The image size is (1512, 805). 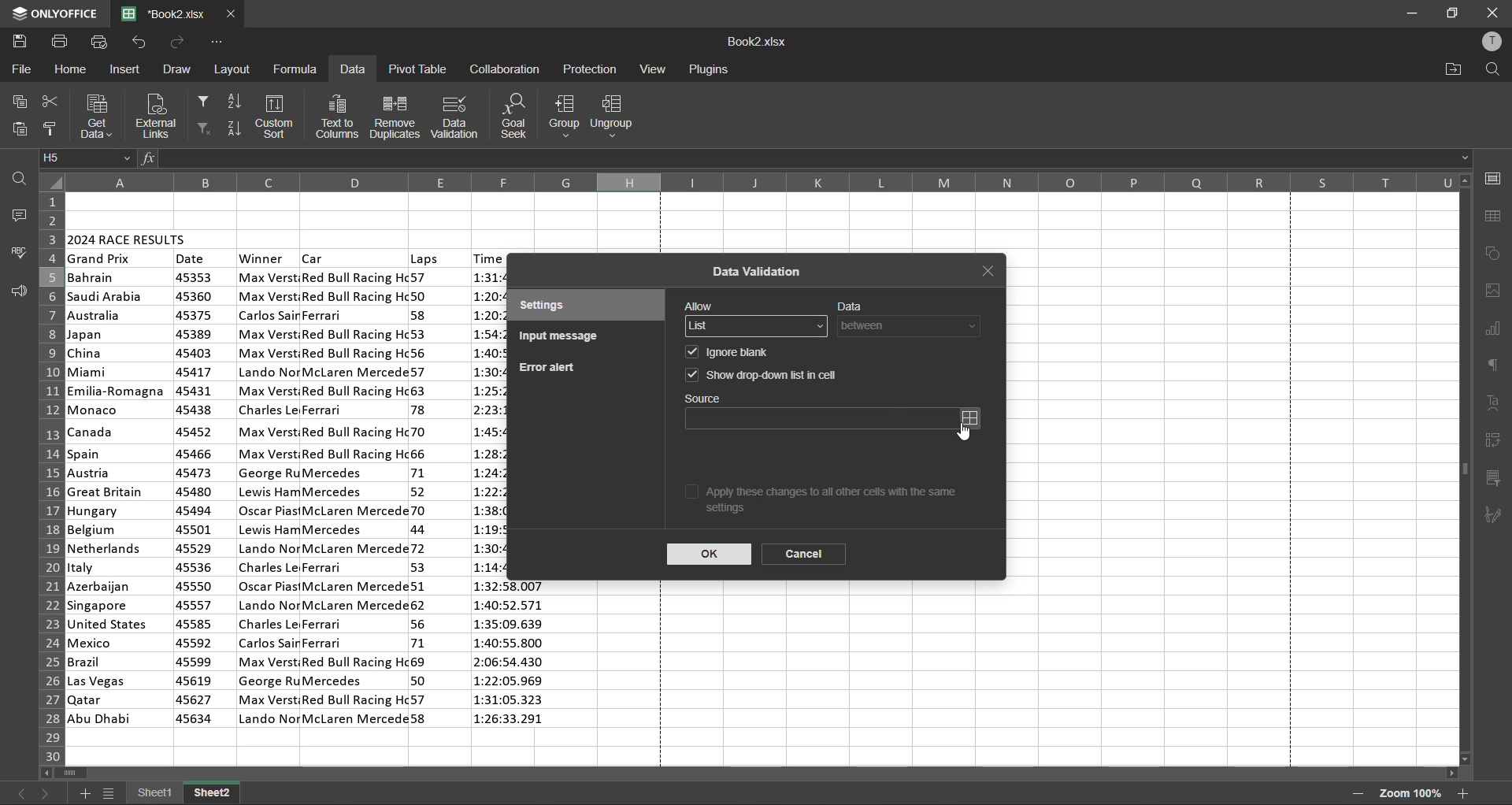 What do you see at coordinates (1491, 44) in the screenshot?
I see `profile` at bounding box center [1491, 44].